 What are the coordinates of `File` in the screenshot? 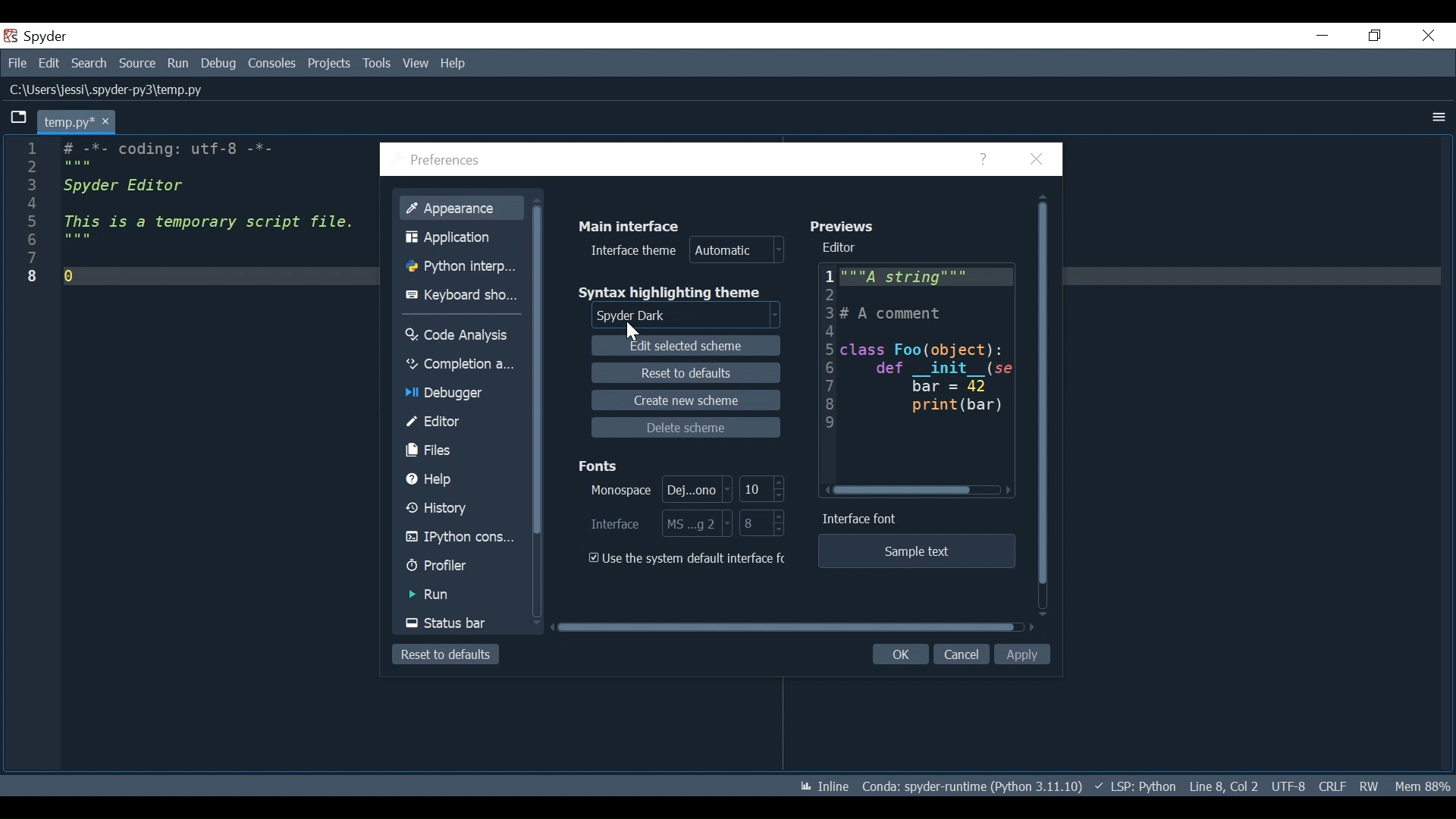 It's located at (17, 63).